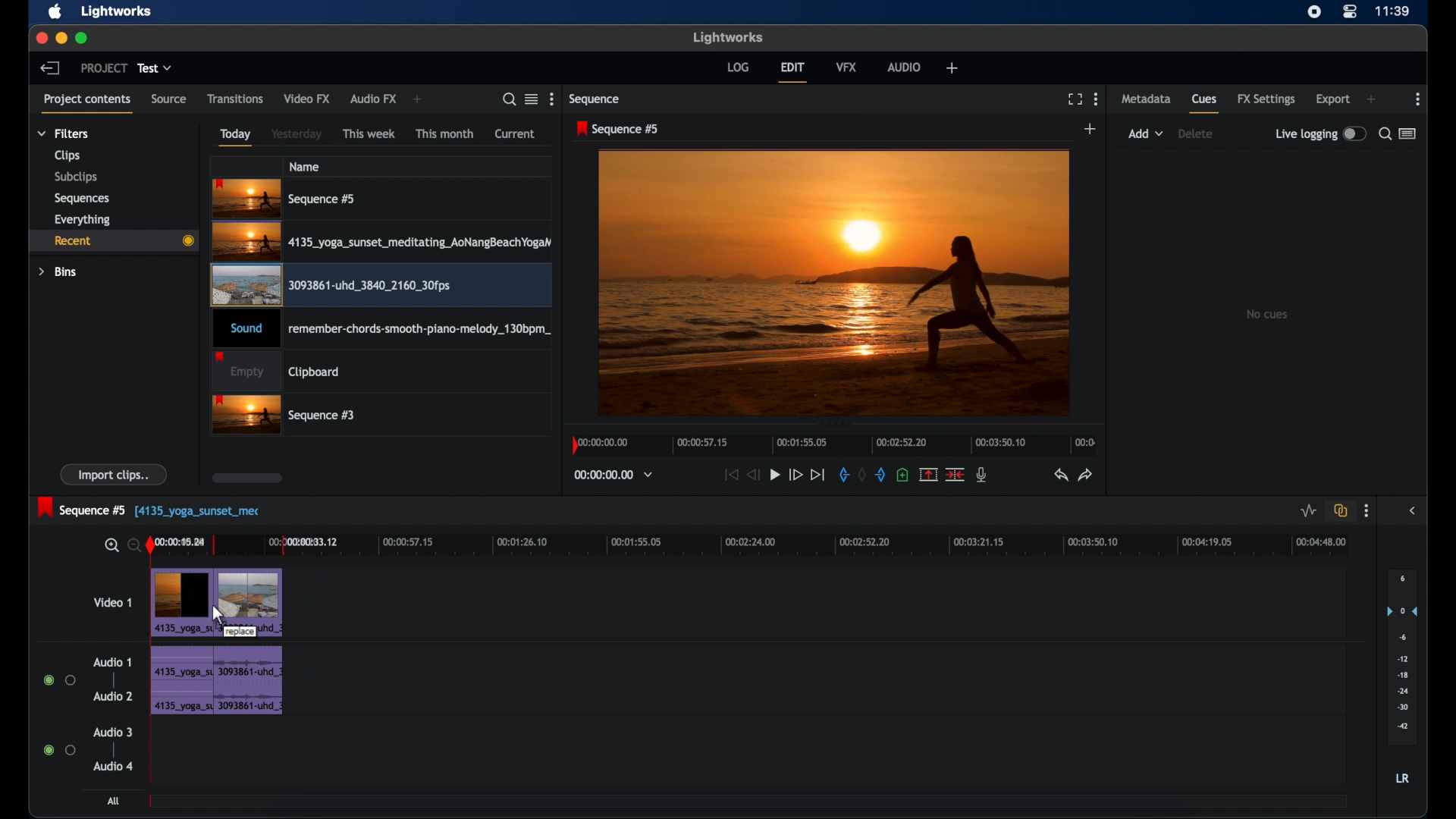 This screenshot has height=819, width=1456. Describe the element at coordinates (103, 67) in the screenshot. I see `project` at that location.